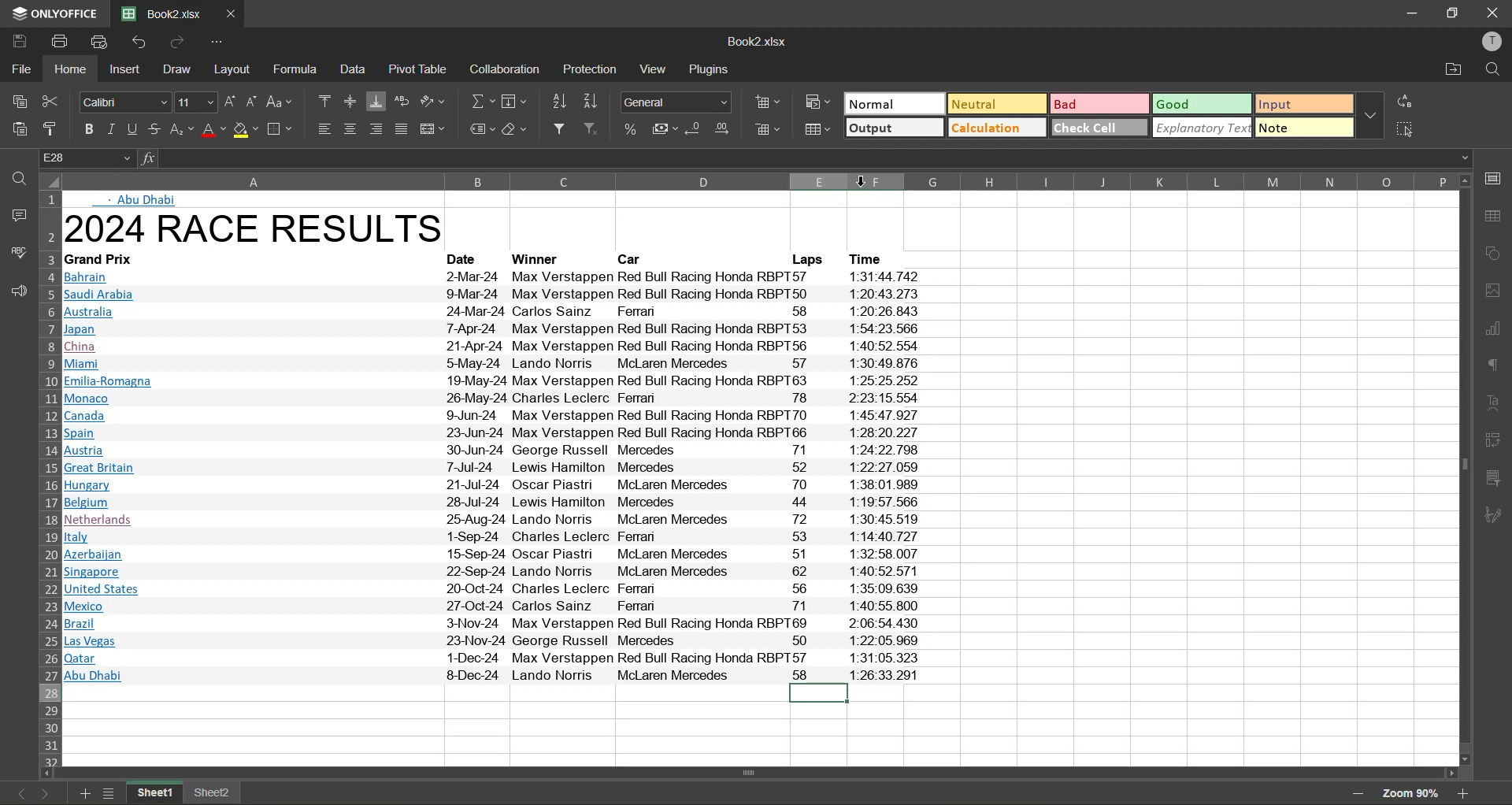 This screenshot has height=805, width=1512. I want to click on font color, so click(213, 129).